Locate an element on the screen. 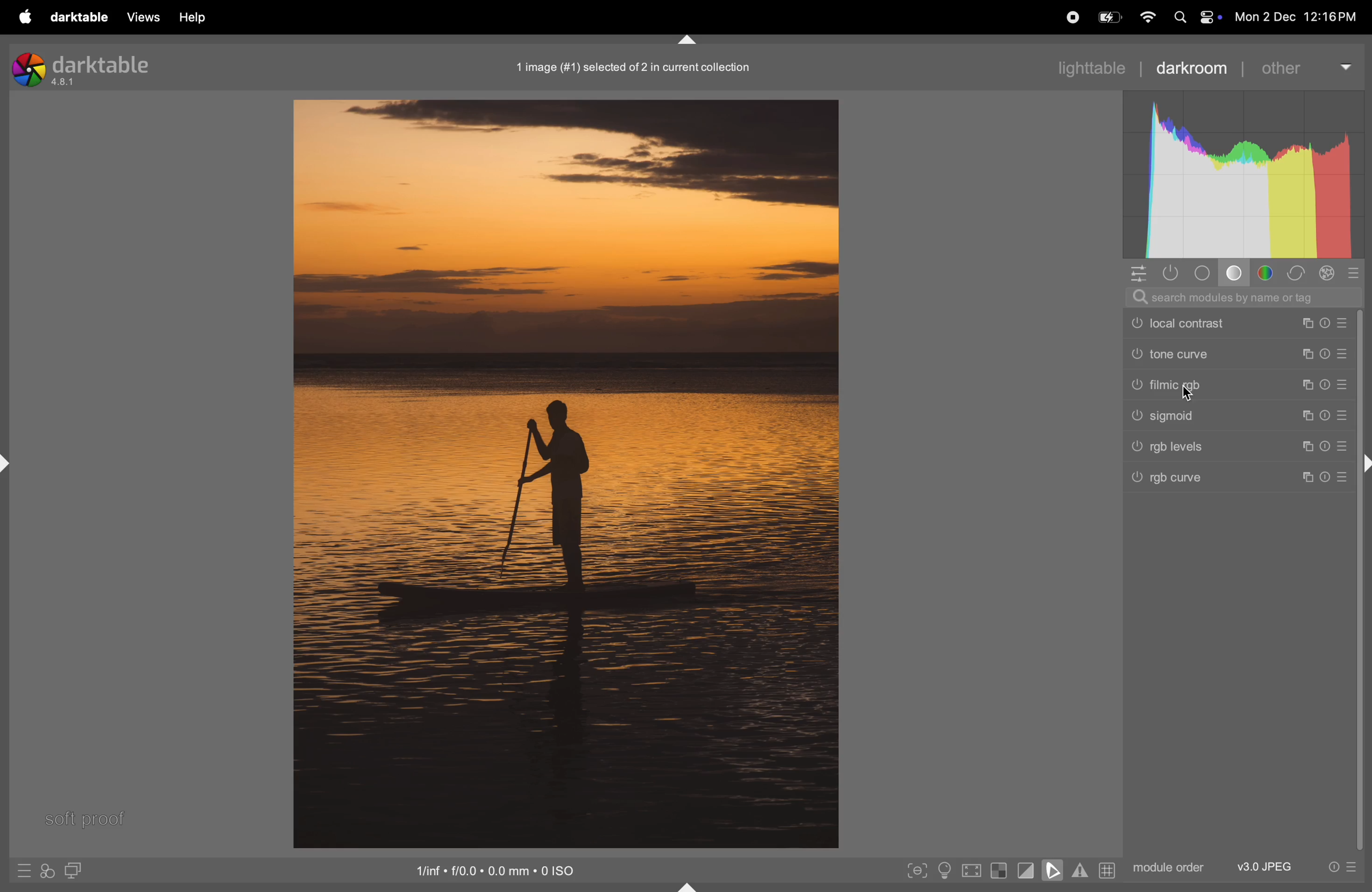 Image resolution: width=1372 pixels, height=892 pixels. sigmoid is located at coordinates (1240, 415).